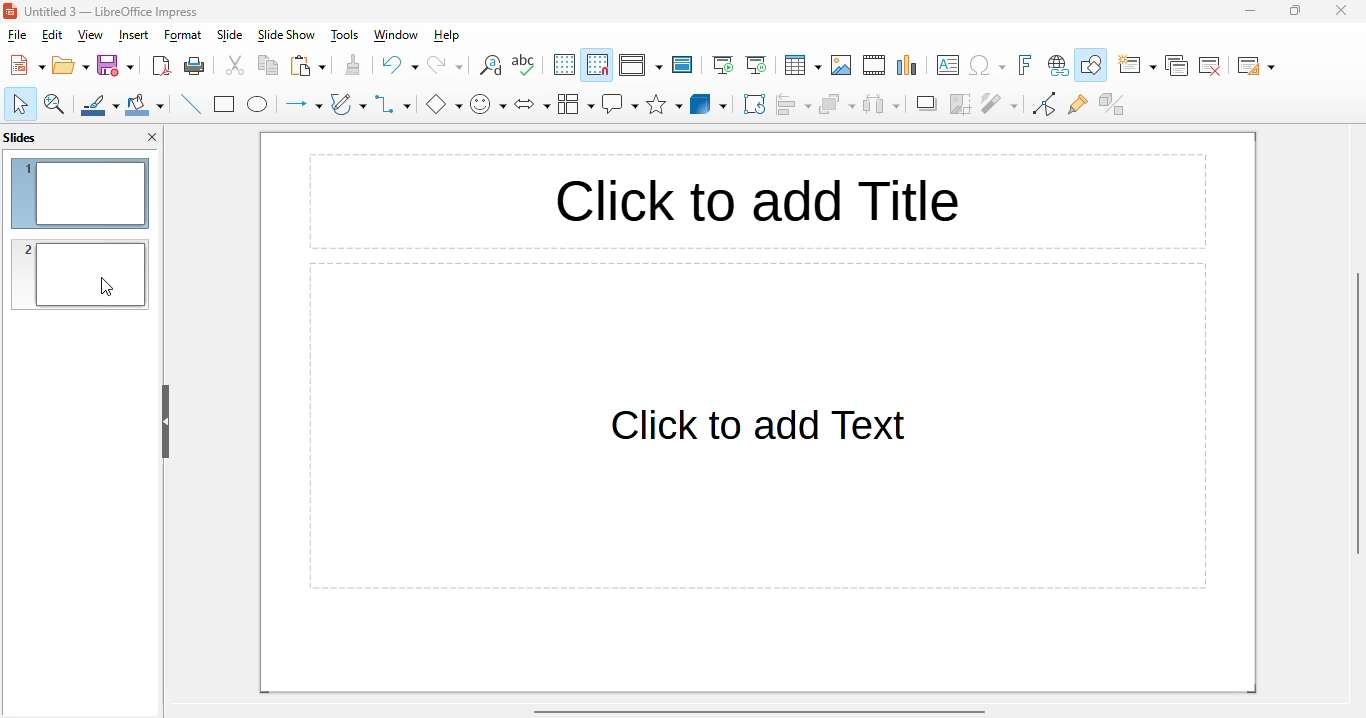  Describe the element at coordinates (838, 104) in the screenshot. I see `arrange` at that location.